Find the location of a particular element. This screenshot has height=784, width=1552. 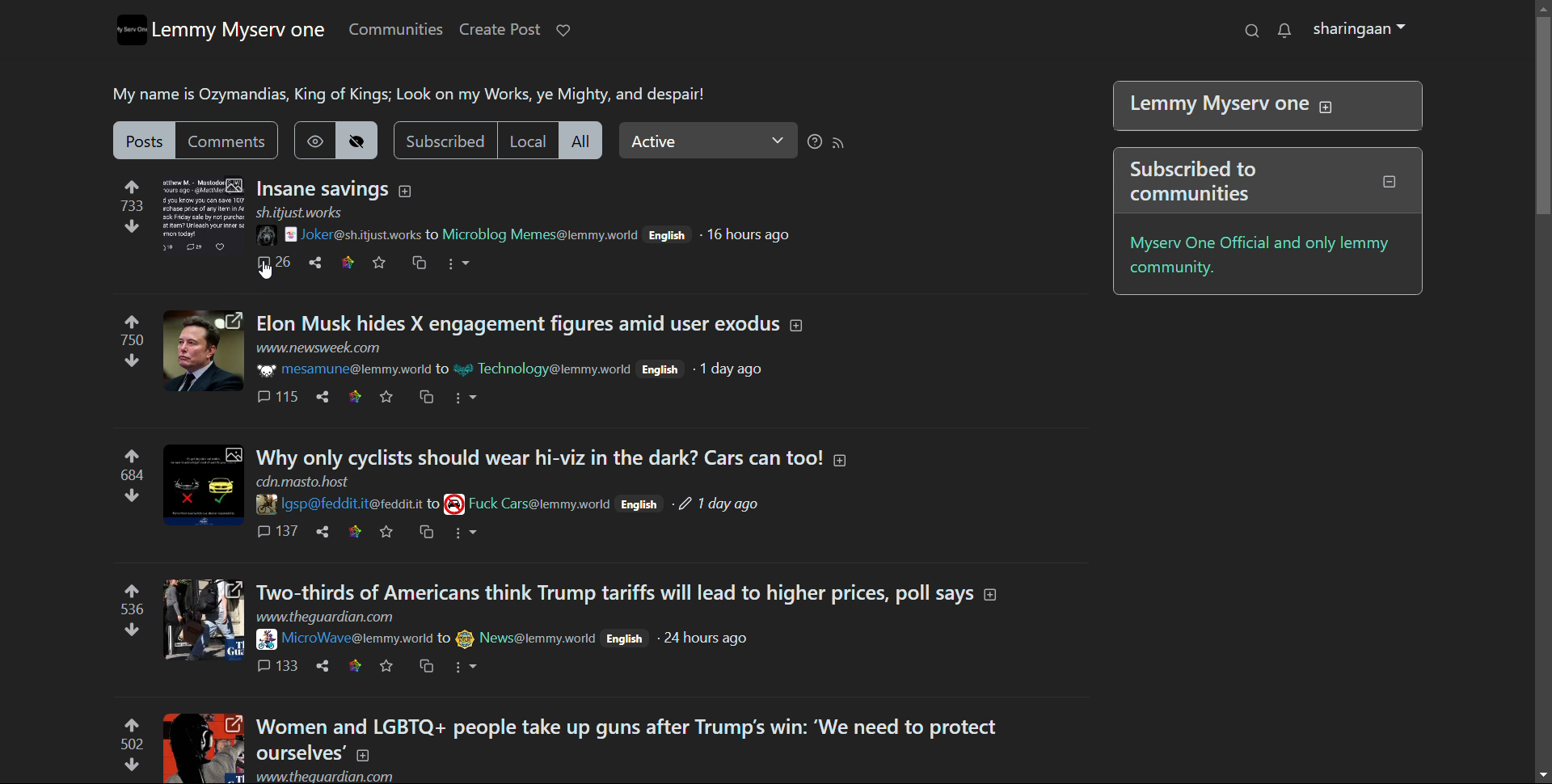

share is located at coordinates (322, 531).